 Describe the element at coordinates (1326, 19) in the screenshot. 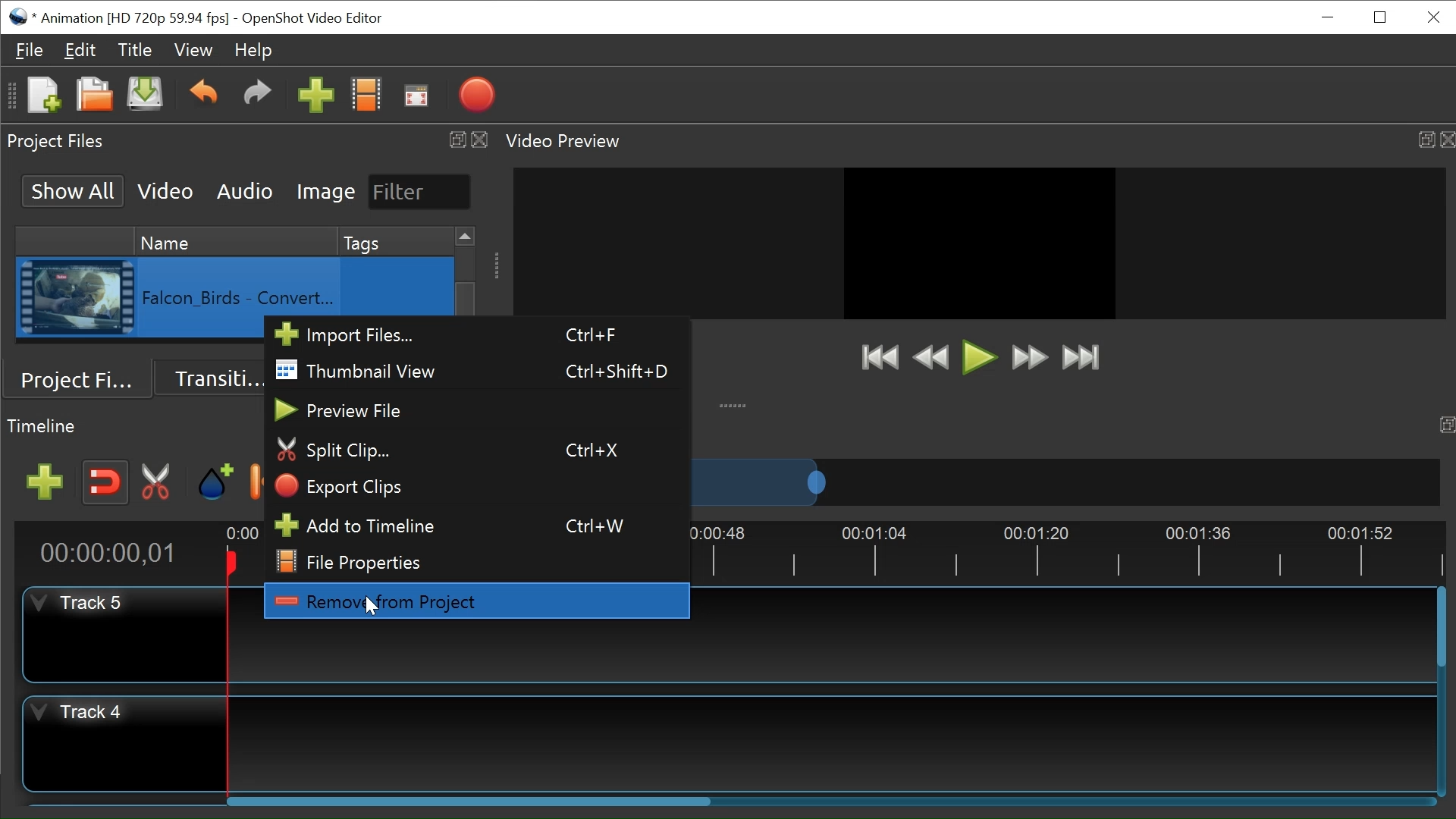

I see `minimize` at that location.